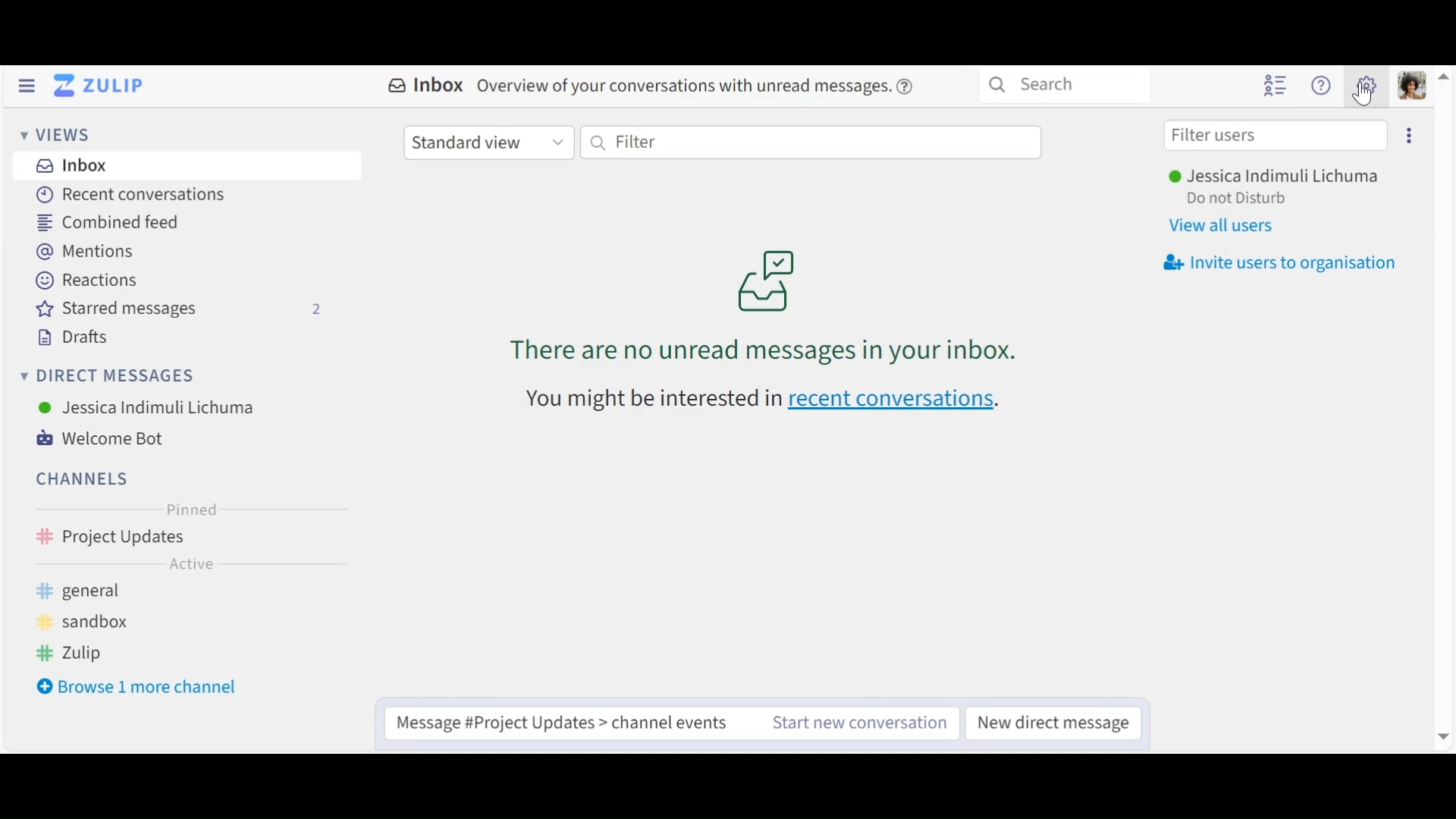 The image size is (1456, 819). What do you see at coordinates (1276, 177) in the screenshot?
I see `Username` at bounding box center [1276, 177].